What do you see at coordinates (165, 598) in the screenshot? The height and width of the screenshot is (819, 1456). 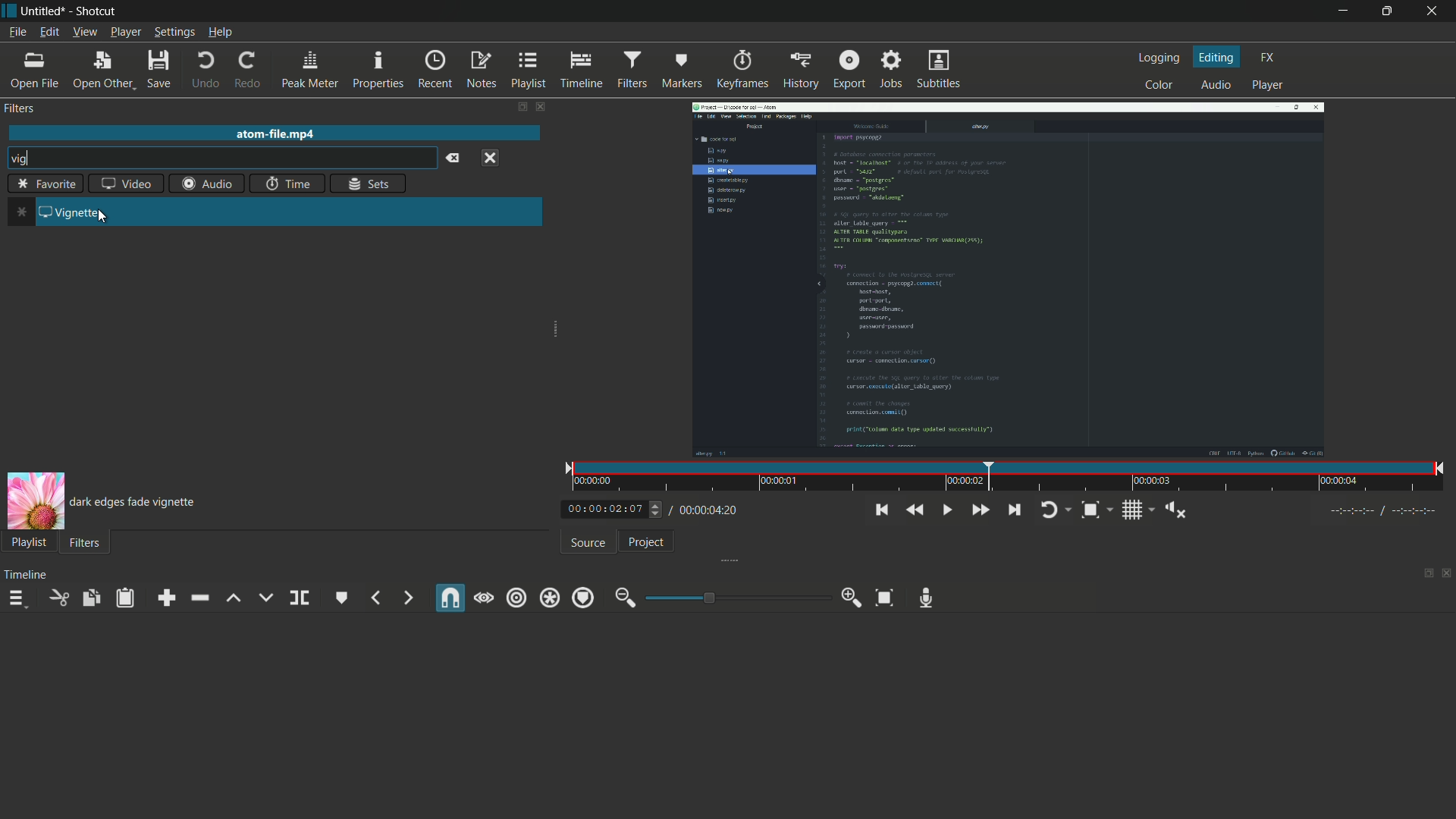 I see `append` at bounding box center [165, 598].